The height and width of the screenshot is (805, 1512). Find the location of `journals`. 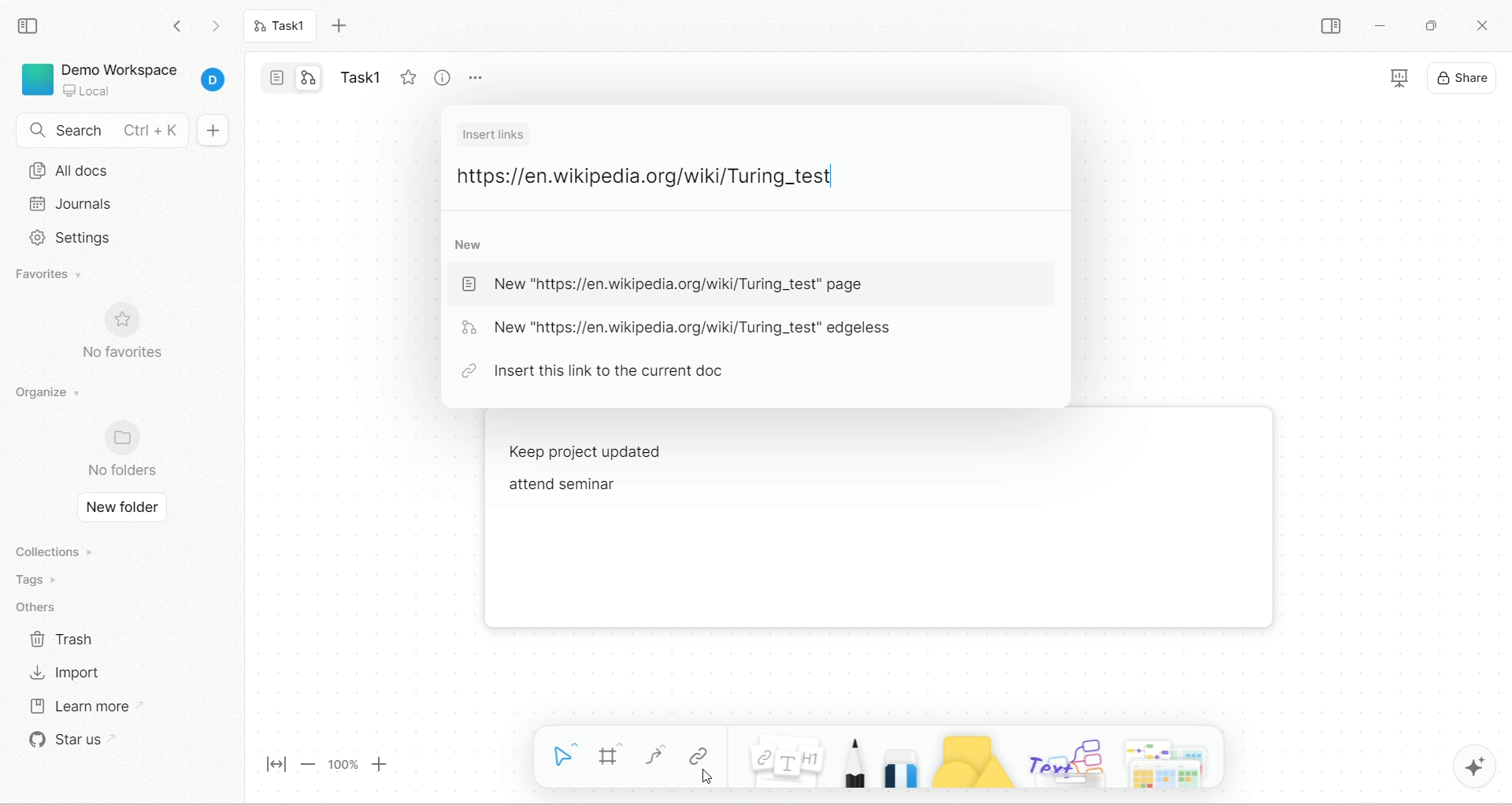

journals is located at coordinates (112, 204).